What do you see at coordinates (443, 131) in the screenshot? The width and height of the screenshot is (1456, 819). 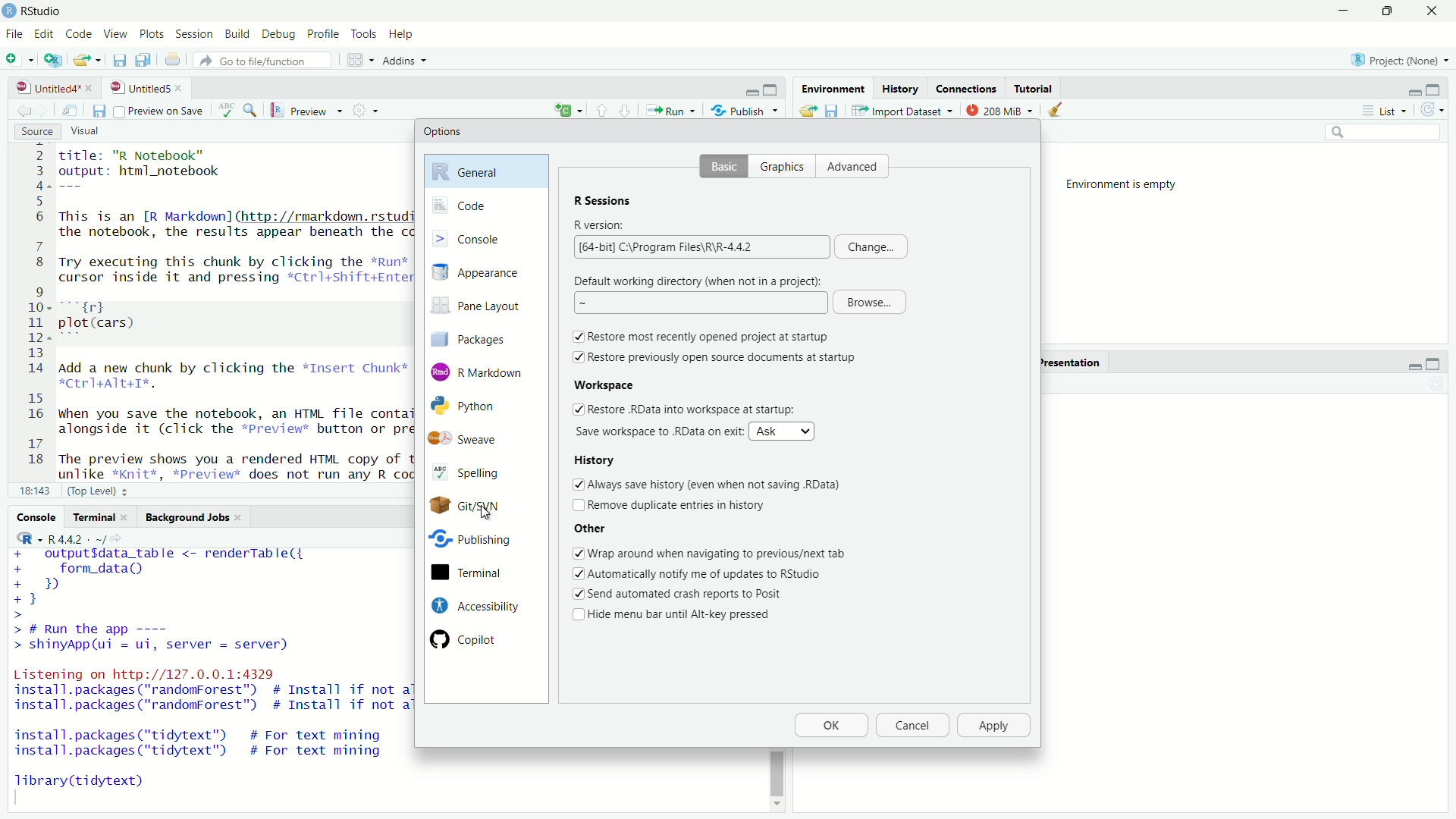 I see `Options` at bounding box center [443, 131].